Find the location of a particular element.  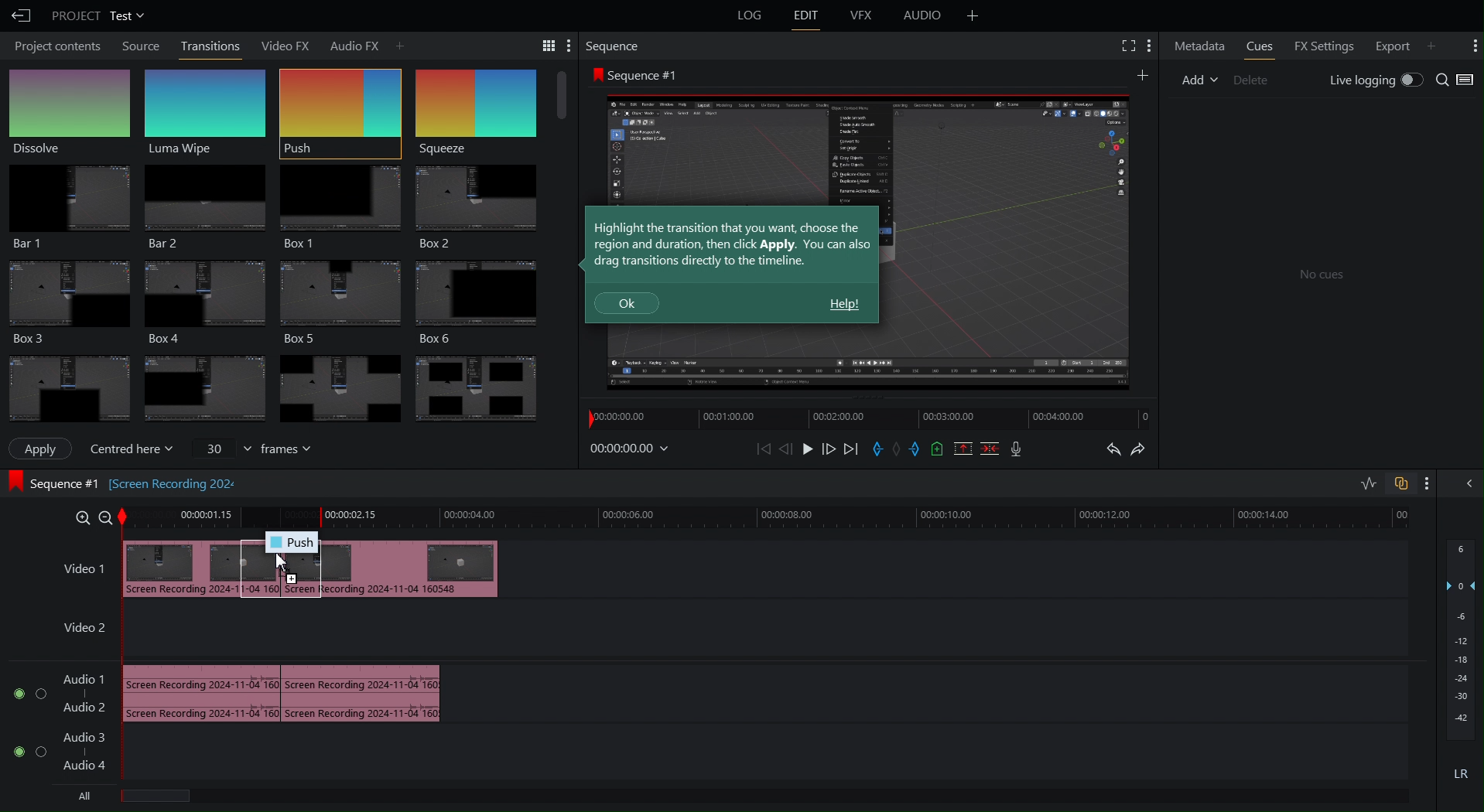

Entry Marker is located at coordinates (878, 450).